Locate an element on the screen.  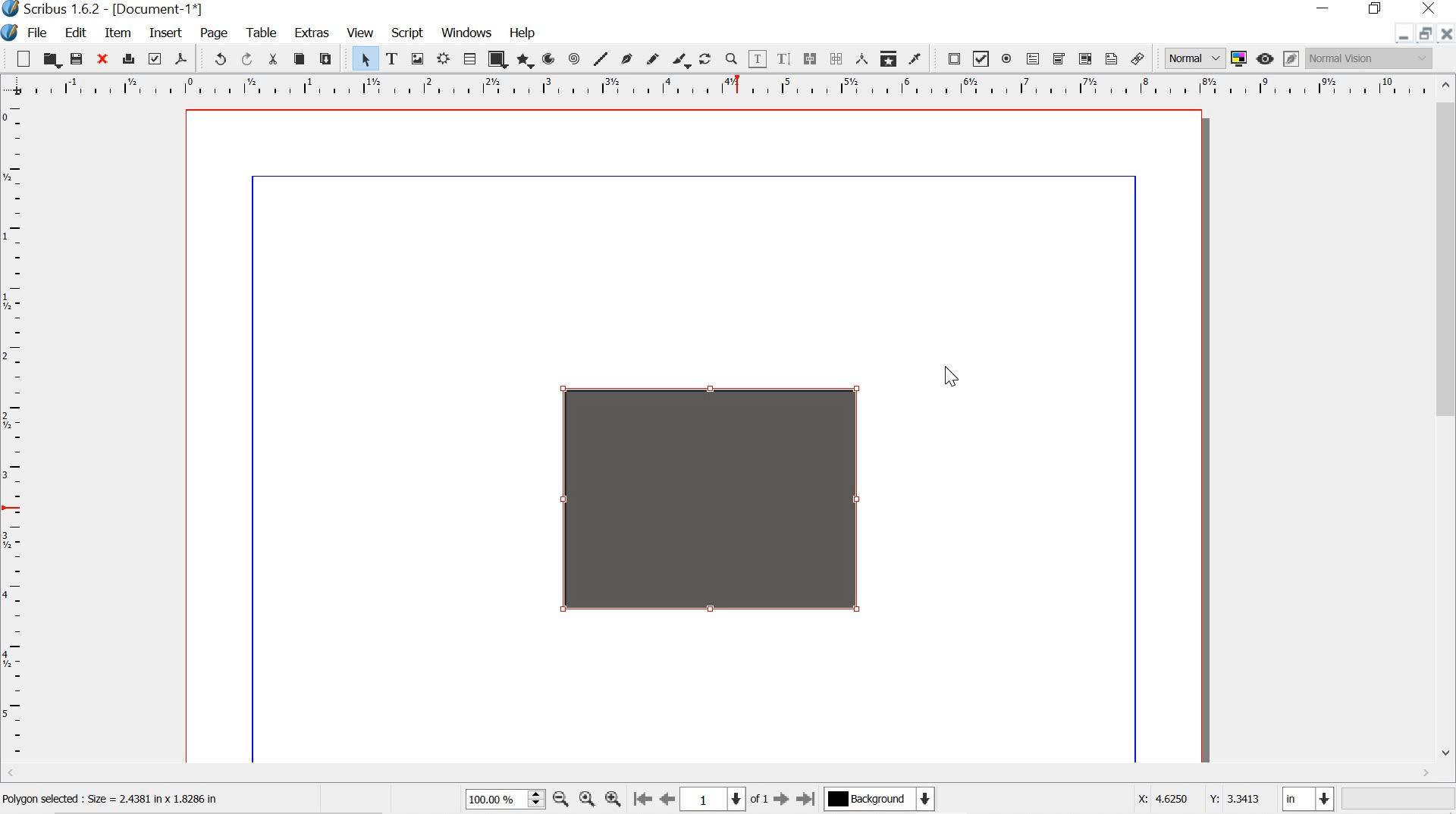
measurements is located at coordinates (861, 58).